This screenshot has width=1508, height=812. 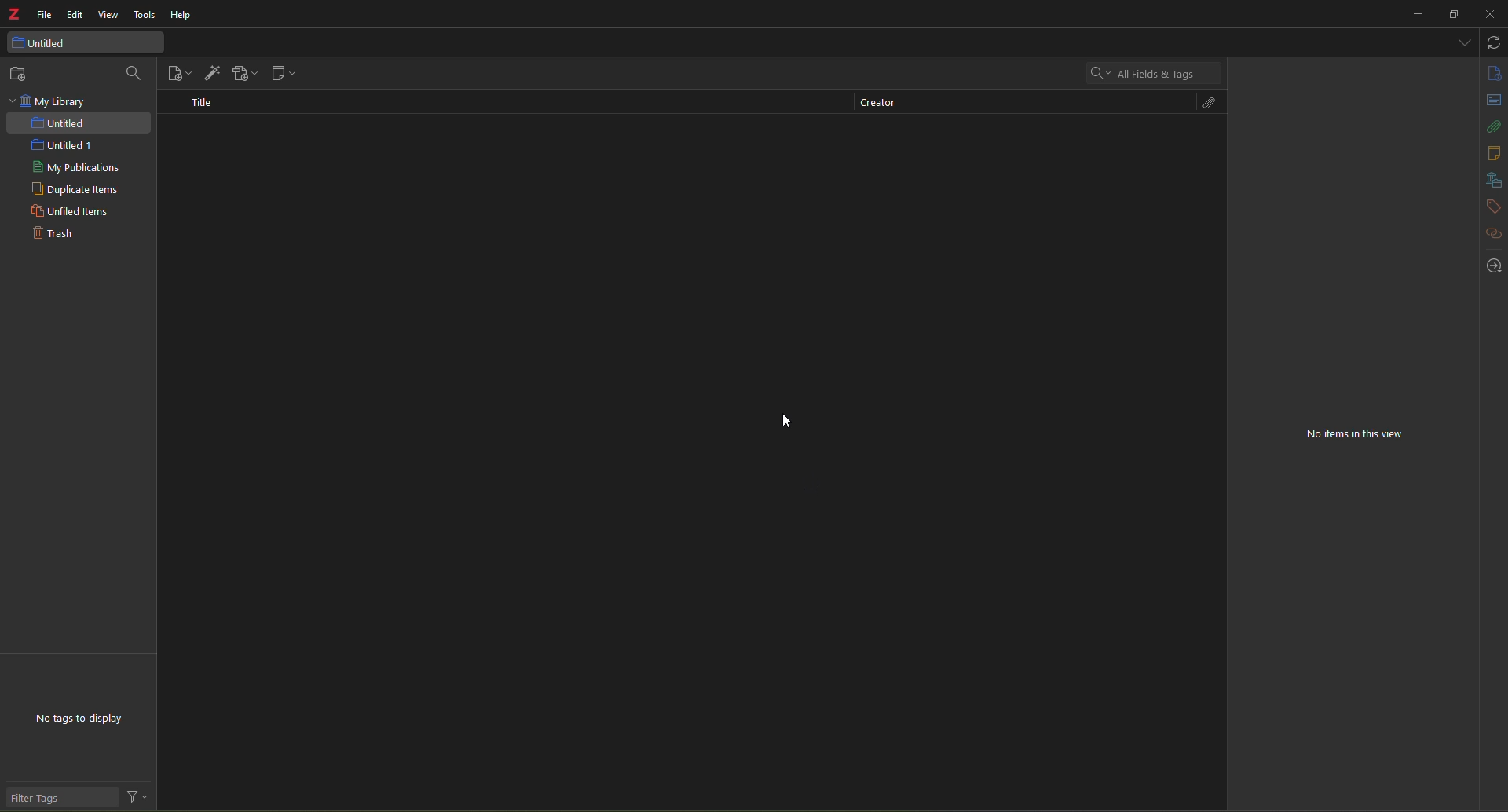 I want to click on trash, so click(x=51, y=235).